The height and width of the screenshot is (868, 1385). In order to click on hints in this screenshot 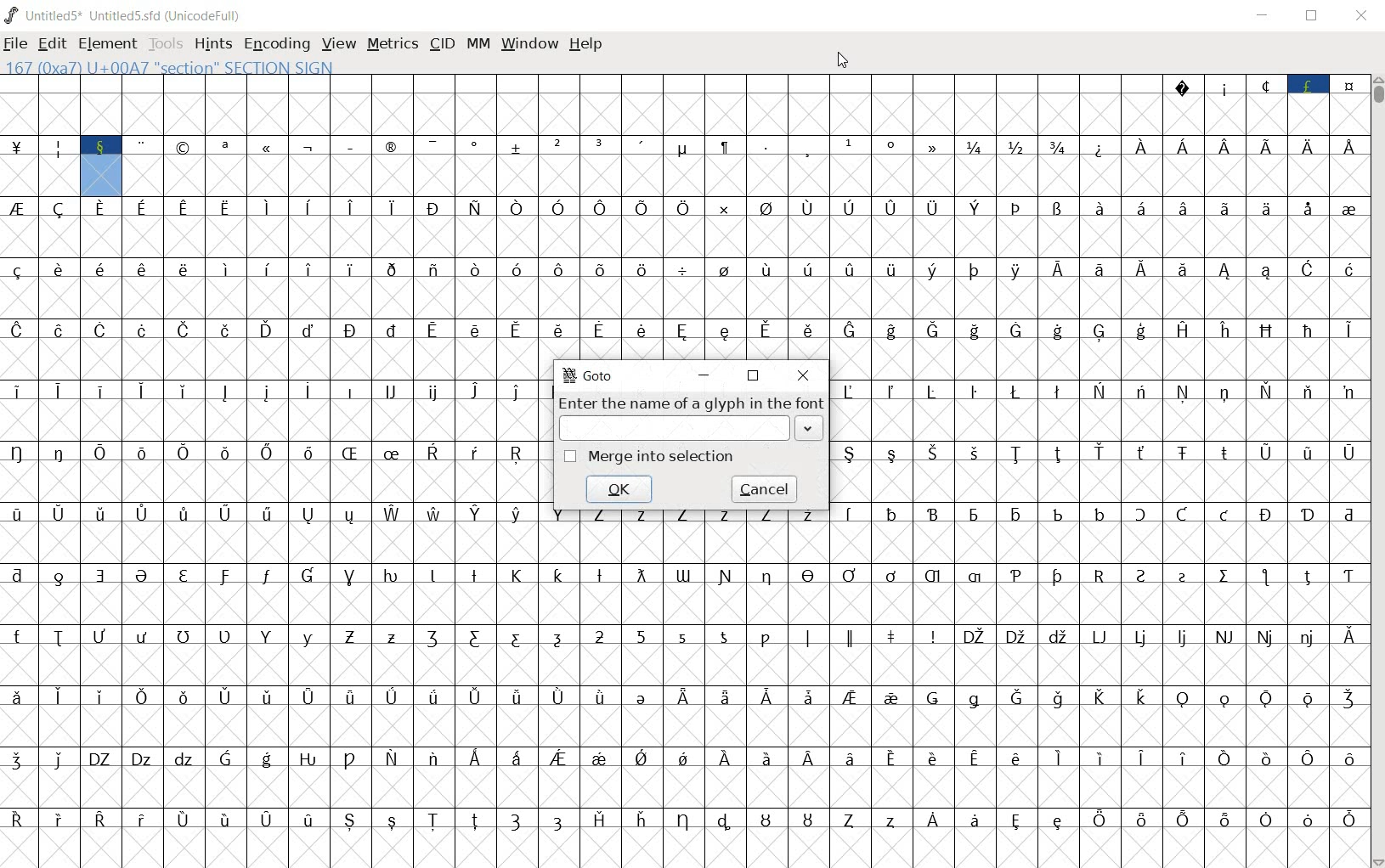, I will do `click(212, 45)`.